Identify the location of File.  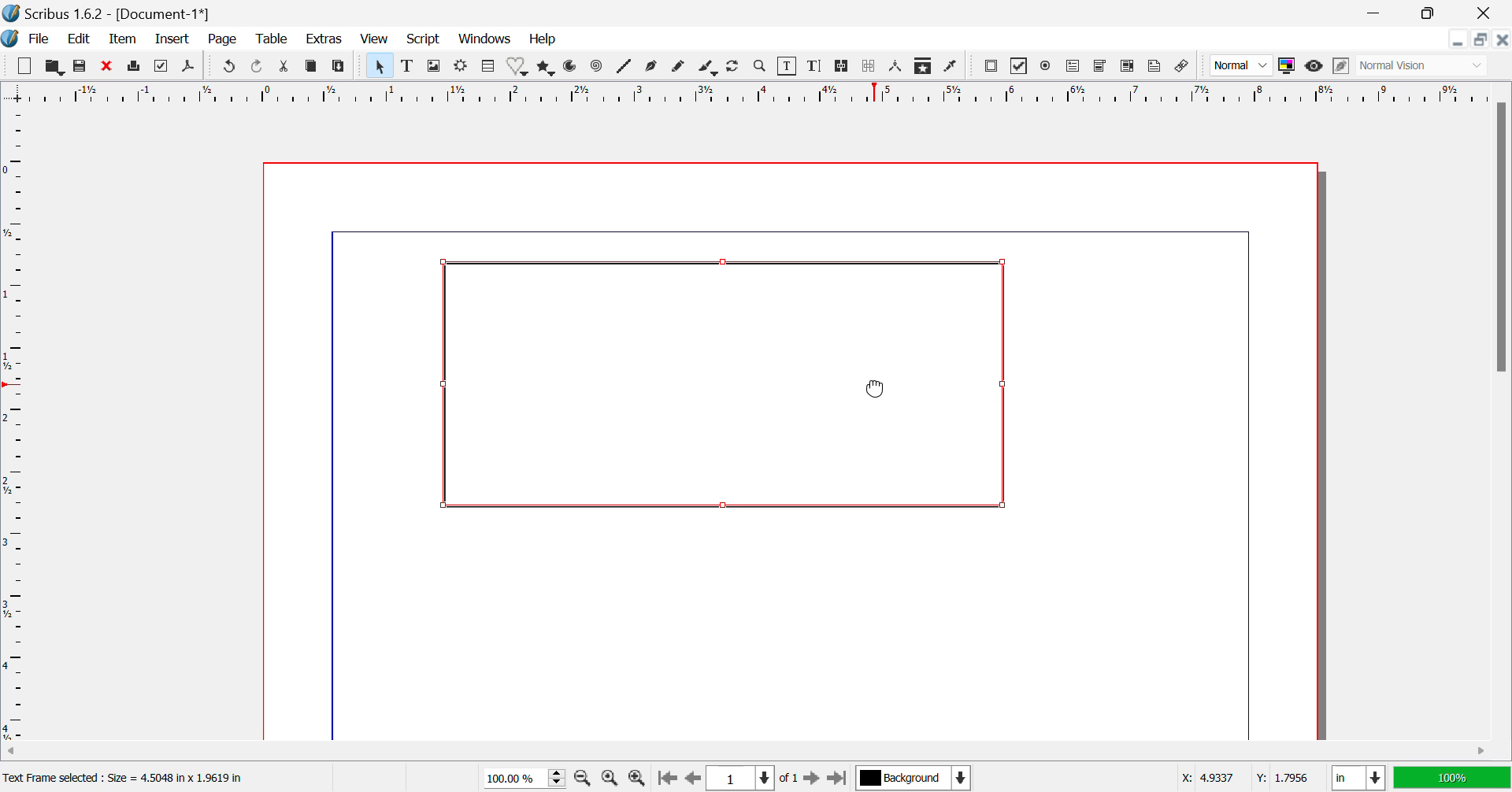
(39, 39).